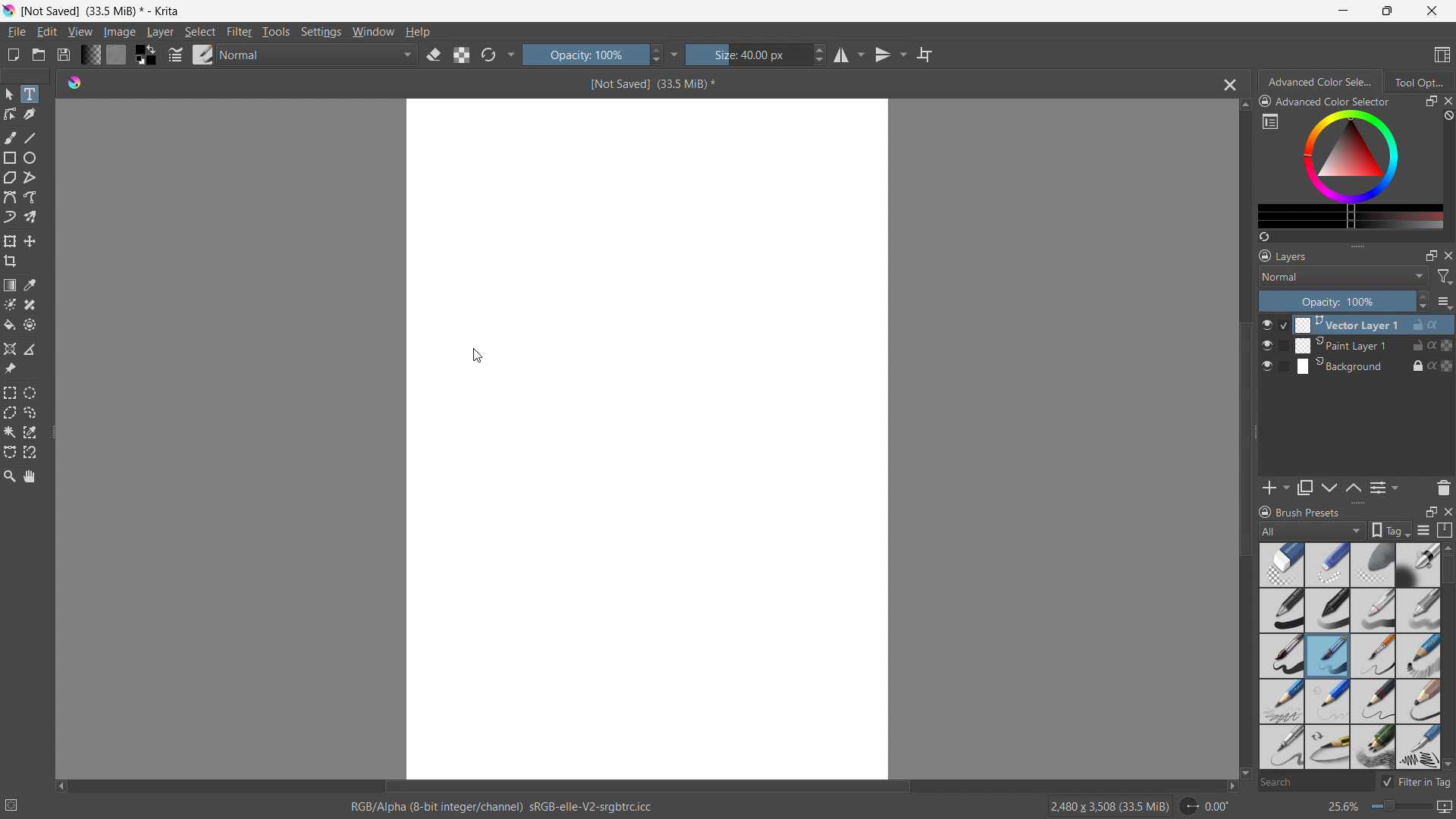 This screenshot has height=819, width=1456. Describe the element at coordinates (203, 54) in the screenshot. I see `brush presets` at that location.